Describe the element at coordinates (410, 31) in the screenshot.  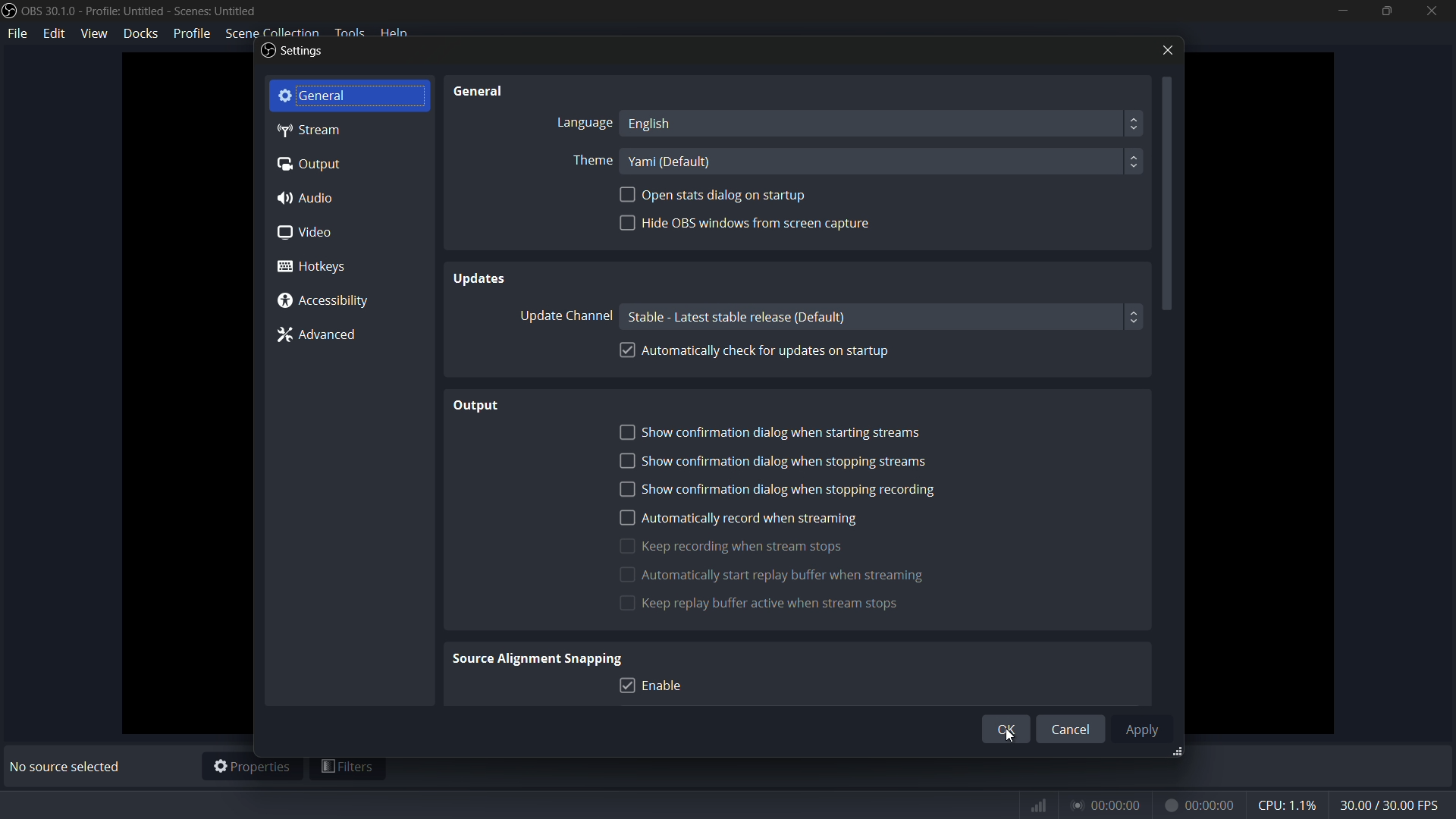
I see `help` at that location.